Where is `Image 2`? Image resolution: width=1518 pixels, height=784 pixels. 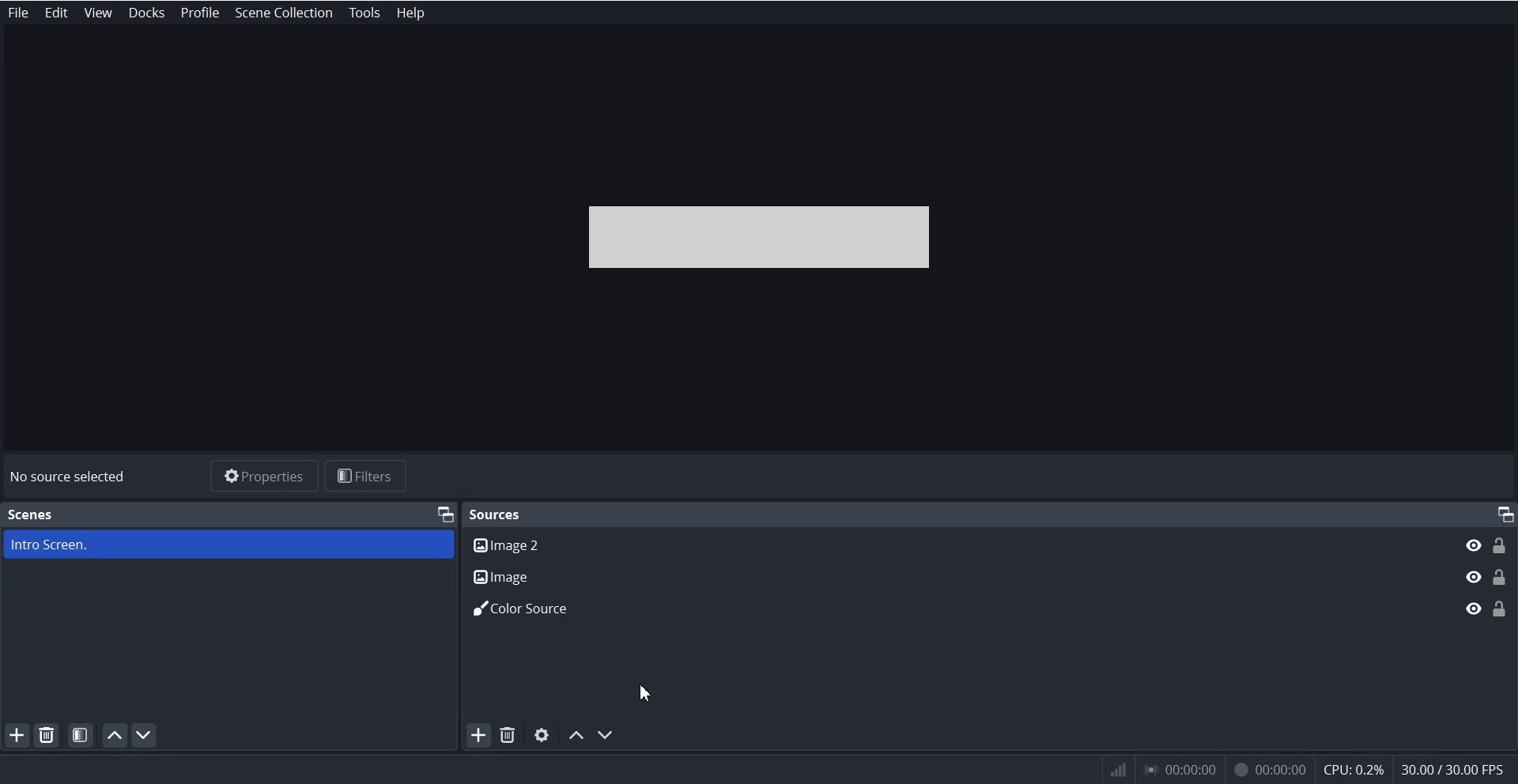 Image 2 is located at coordinates (954, 544).